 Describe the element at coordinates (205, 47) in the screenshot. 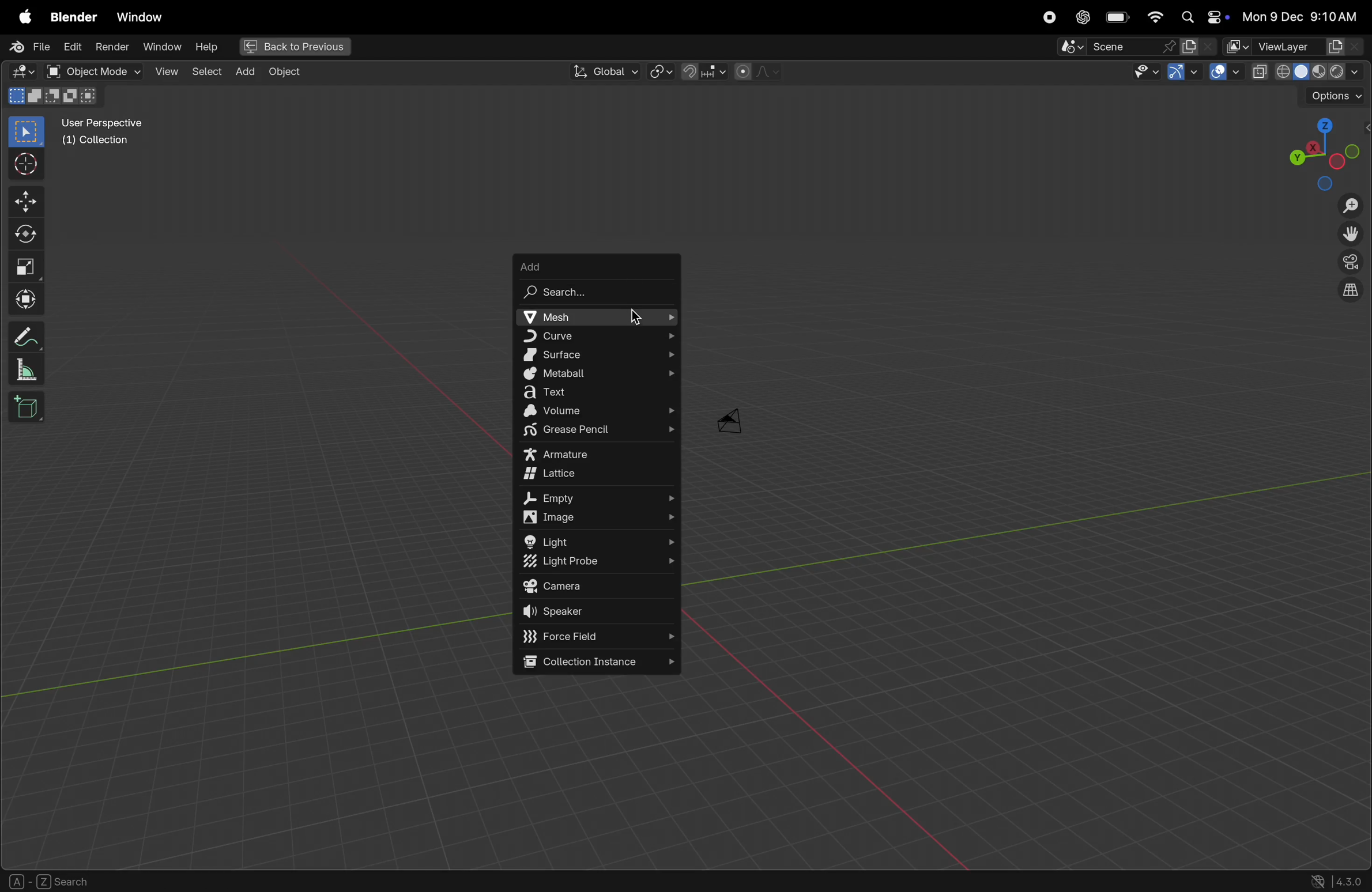

I see `Hlep` at that location.